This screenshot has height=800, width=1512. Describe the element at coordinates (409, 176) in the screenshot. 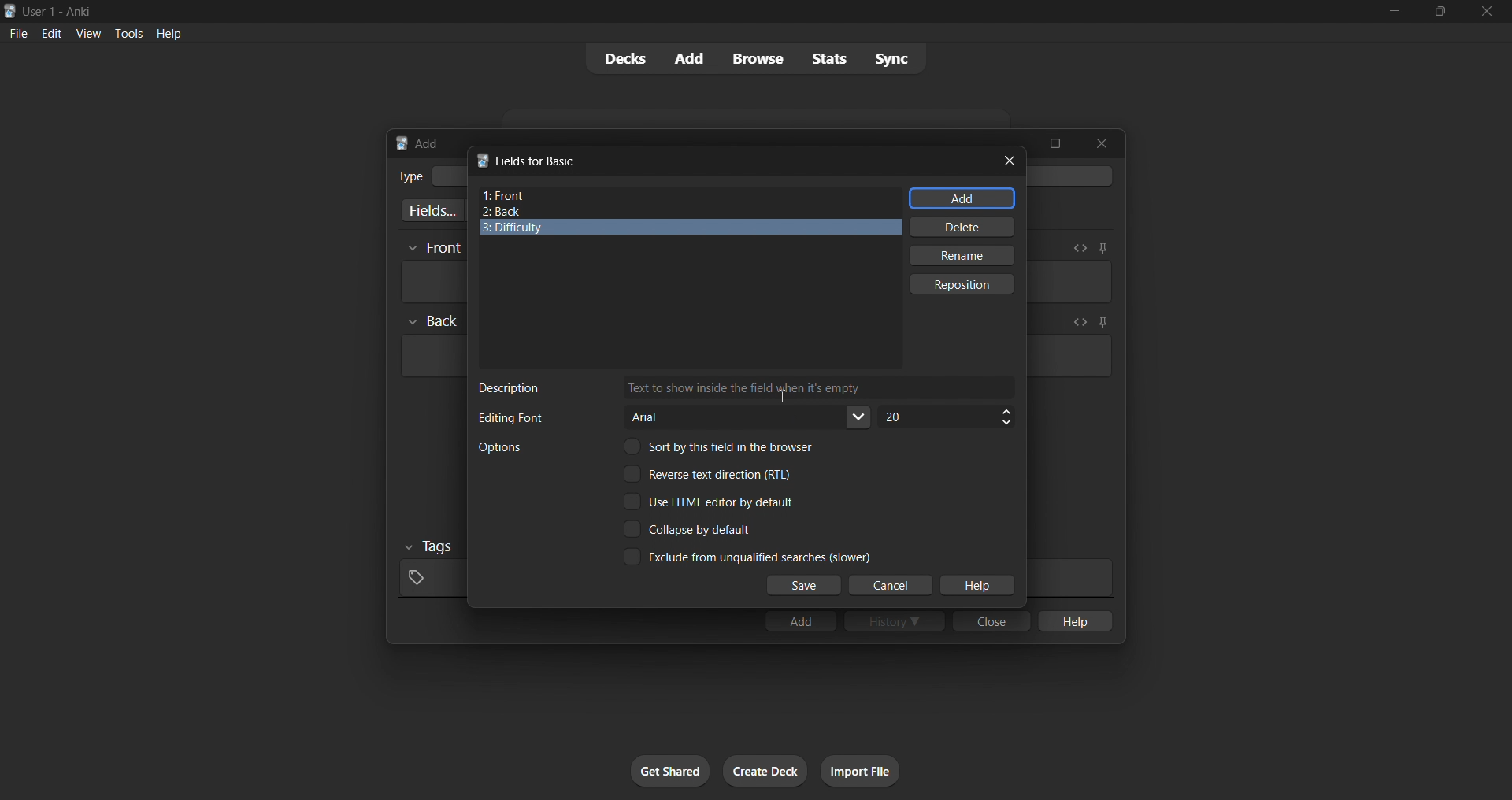

I see `Text` at that location.